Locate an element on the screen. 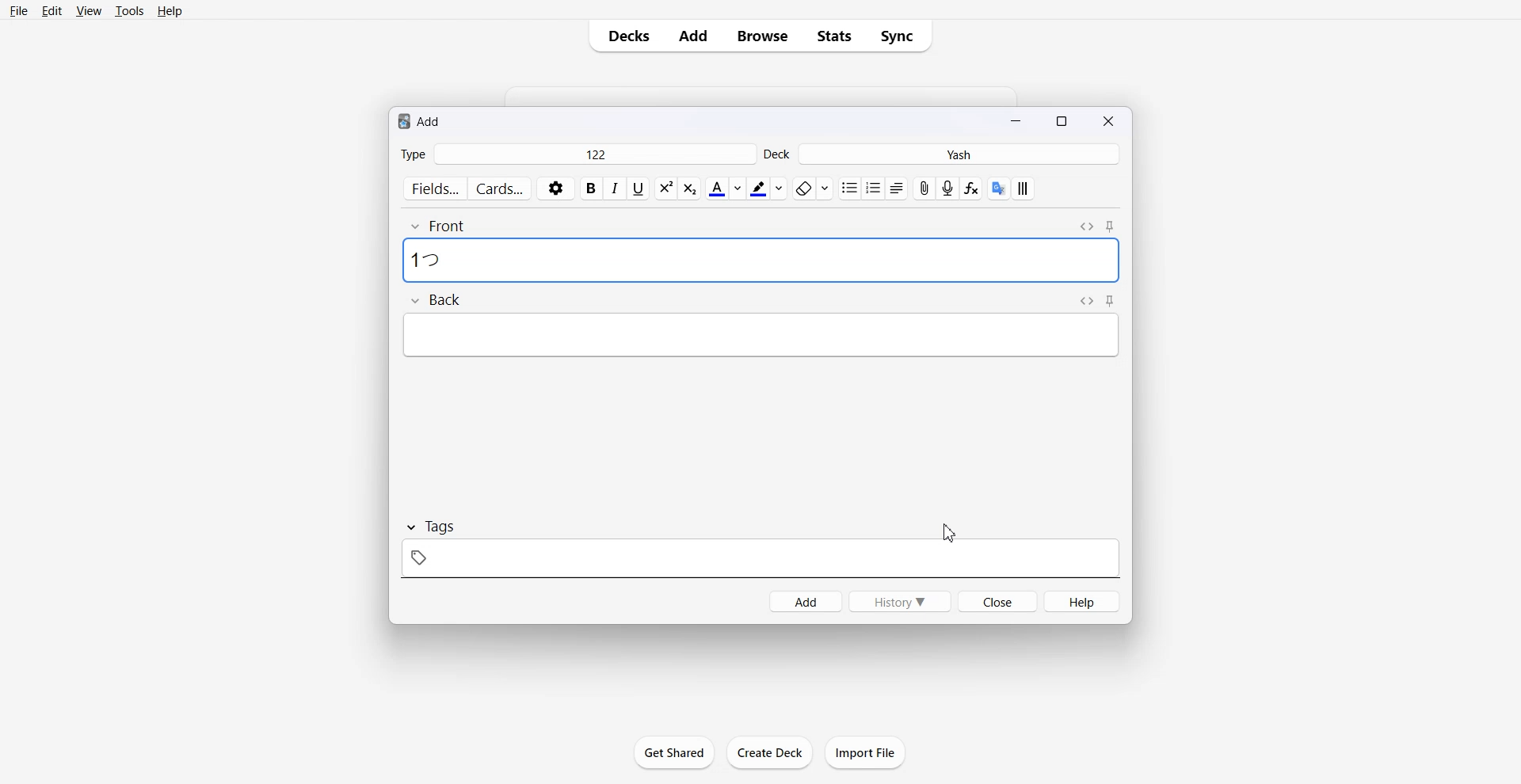 The height and width of the screenshot is (784, 1521). 122 is located at coordinates (594, 154).